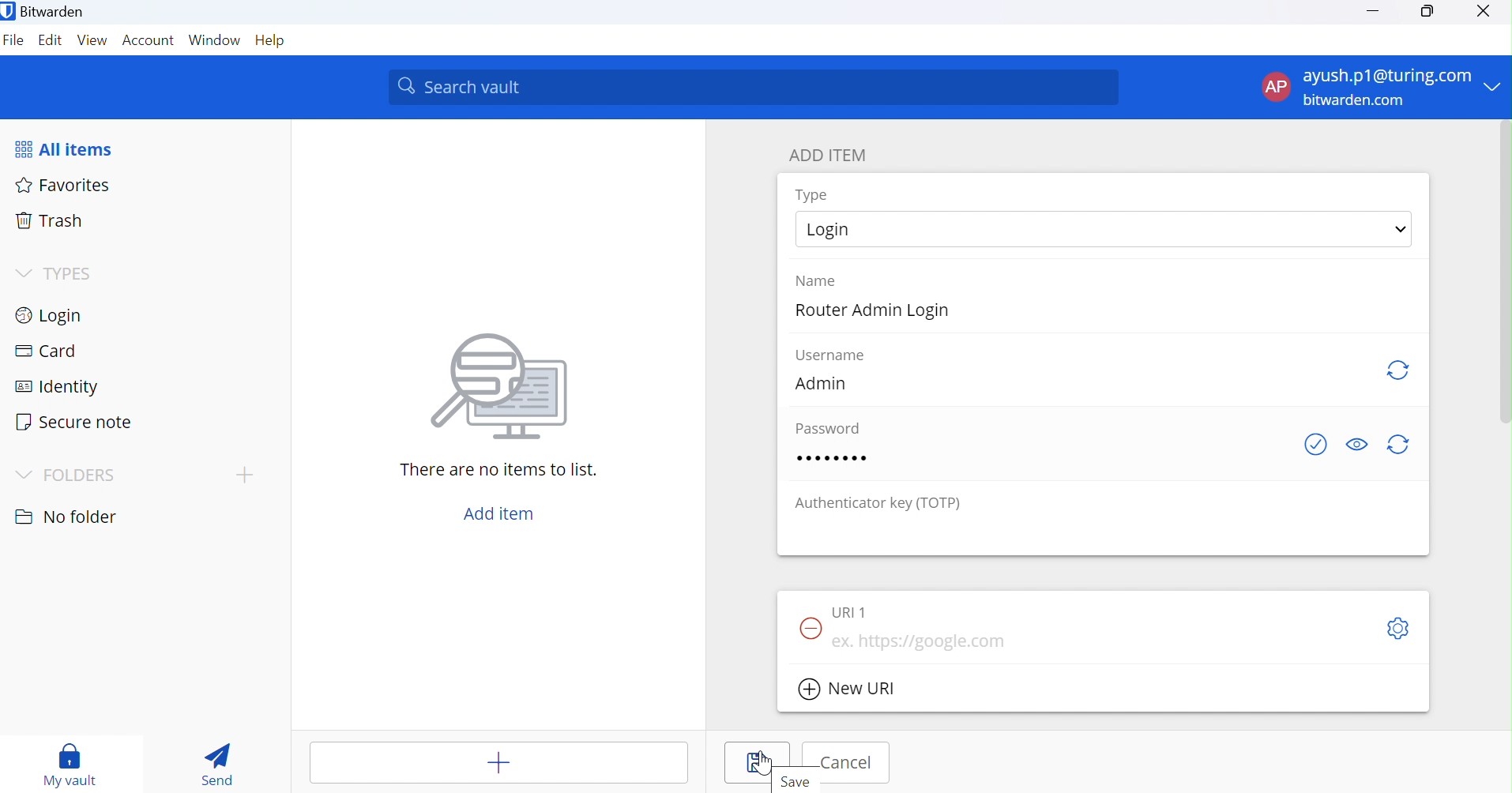  What do you see at coordinates (846, 763) in the screenshot?
I see `Cancel` at bounding box center [846, 763].